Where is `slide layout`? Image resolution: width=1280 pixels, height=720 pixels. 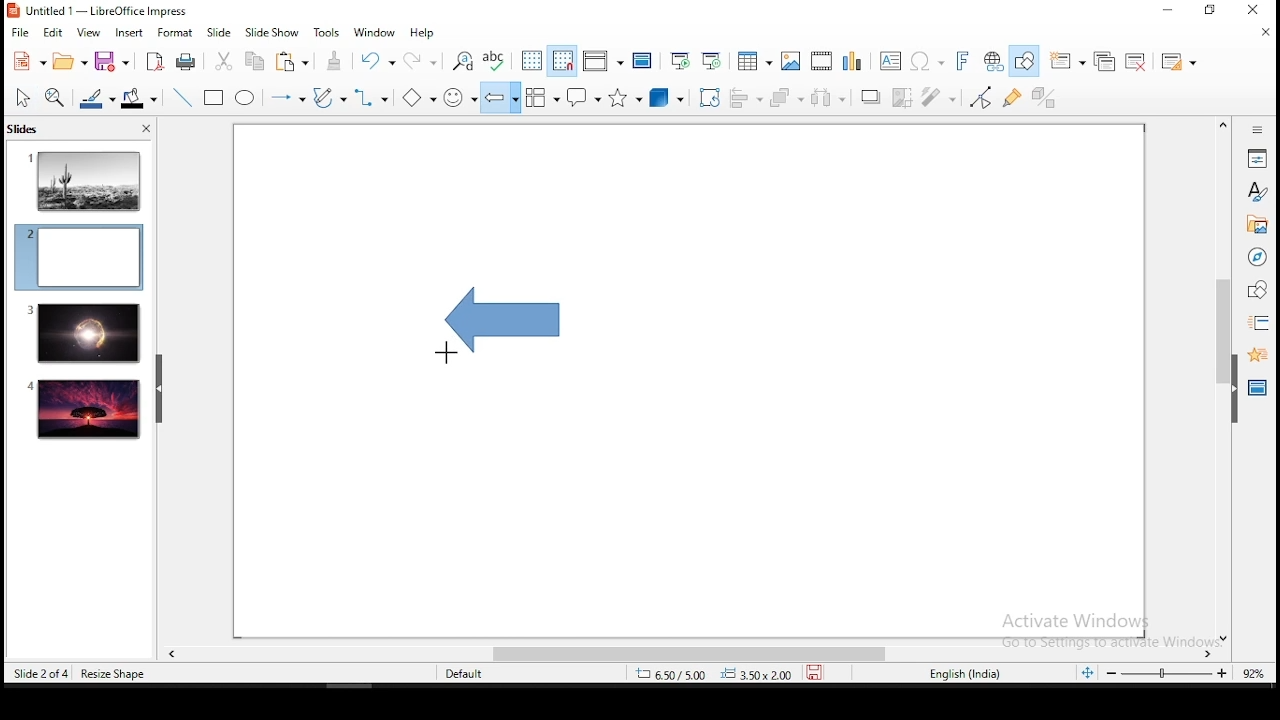
slide layout is located at coordinates (1176, 62).